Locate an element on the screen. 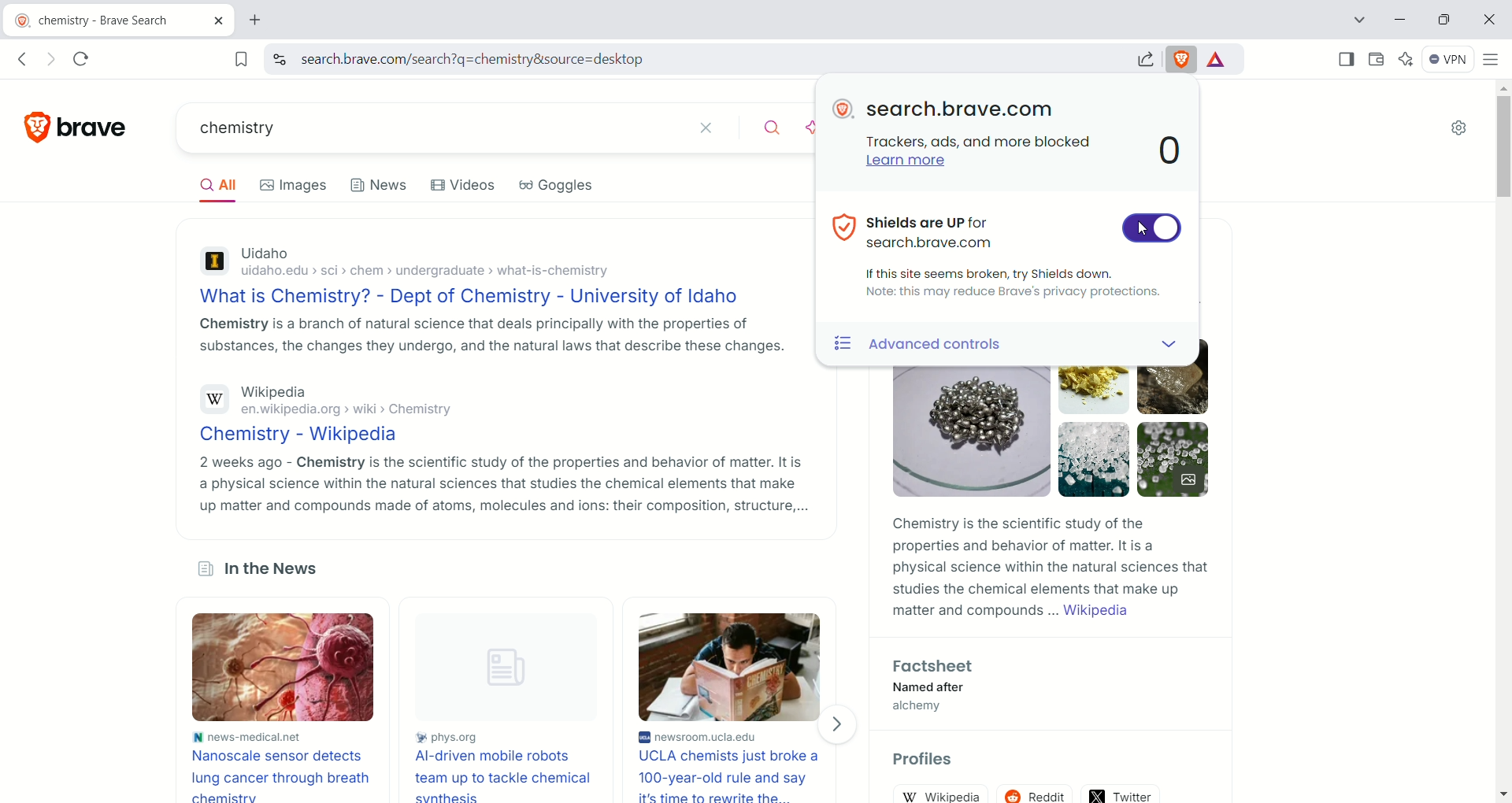 This screenshot has height=803, width=1512. 0 is located at coordinates (1168, 152).